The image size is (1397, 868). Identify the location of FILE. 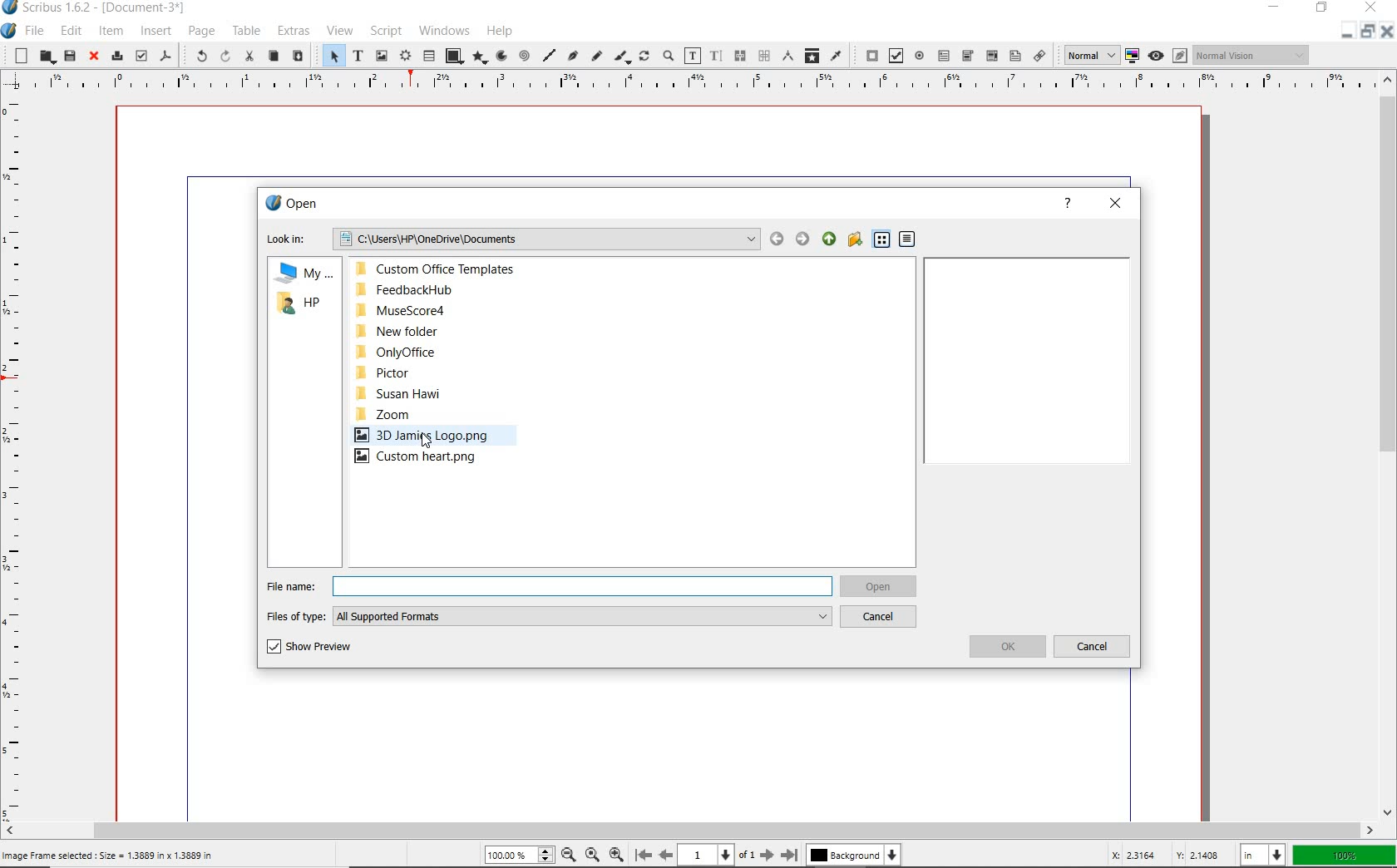
(37, 32).